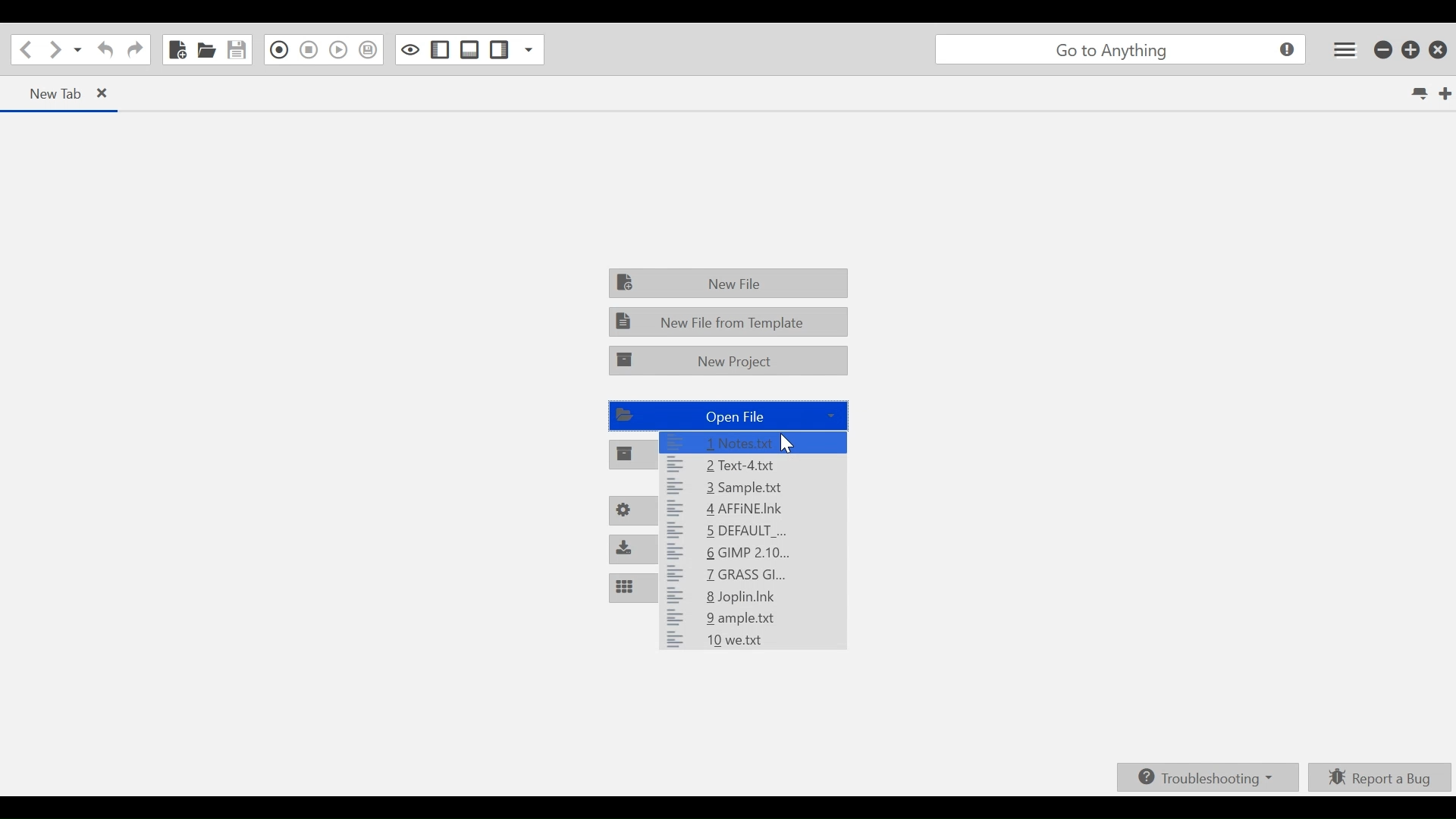  I want to click on Show/Hide Right Pane , so click(499, 50).